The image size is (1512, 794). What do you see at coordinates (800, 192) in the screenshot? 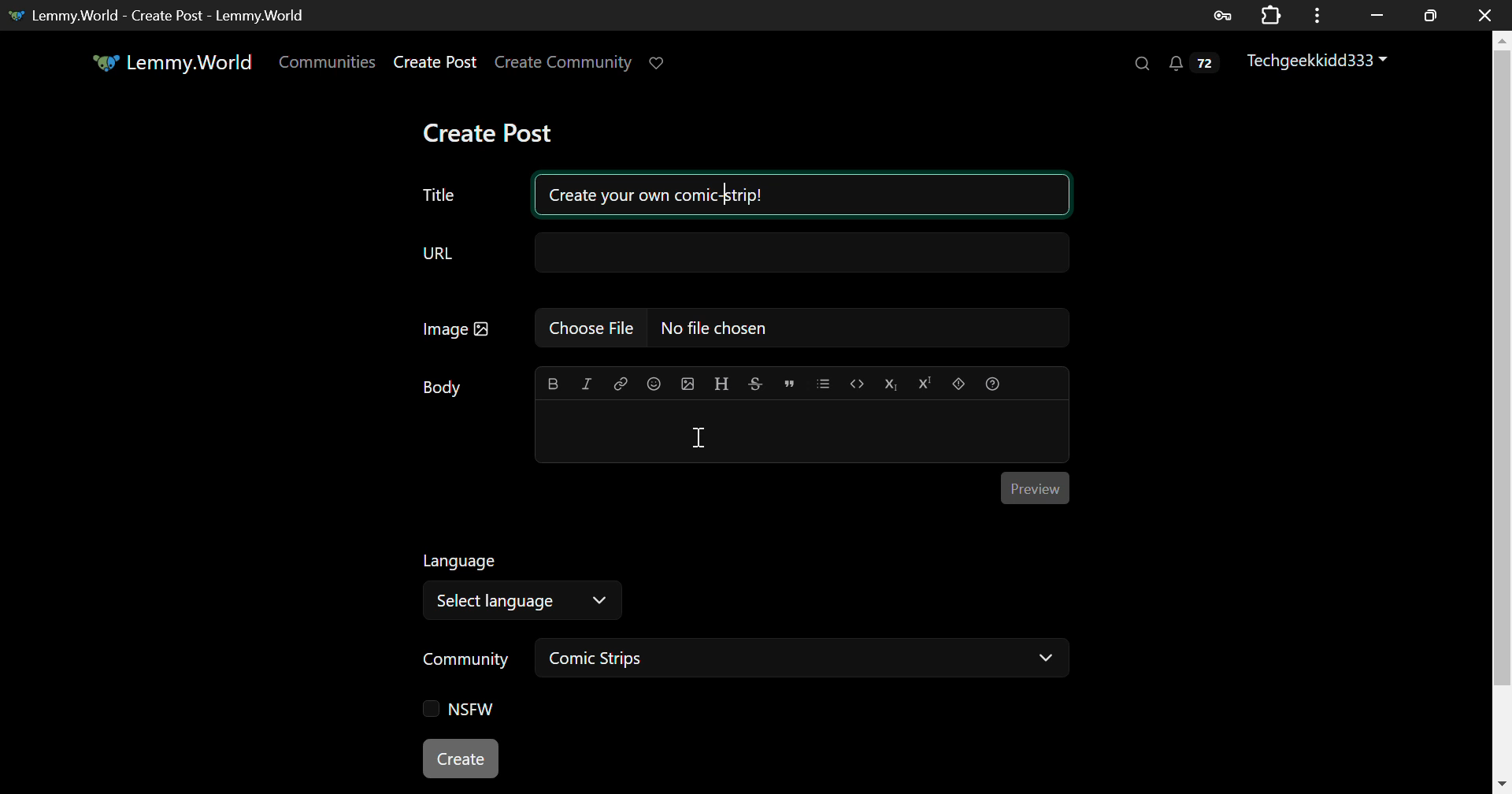
I see `Create your own comic-strip!` at bounding box center [800, 192].